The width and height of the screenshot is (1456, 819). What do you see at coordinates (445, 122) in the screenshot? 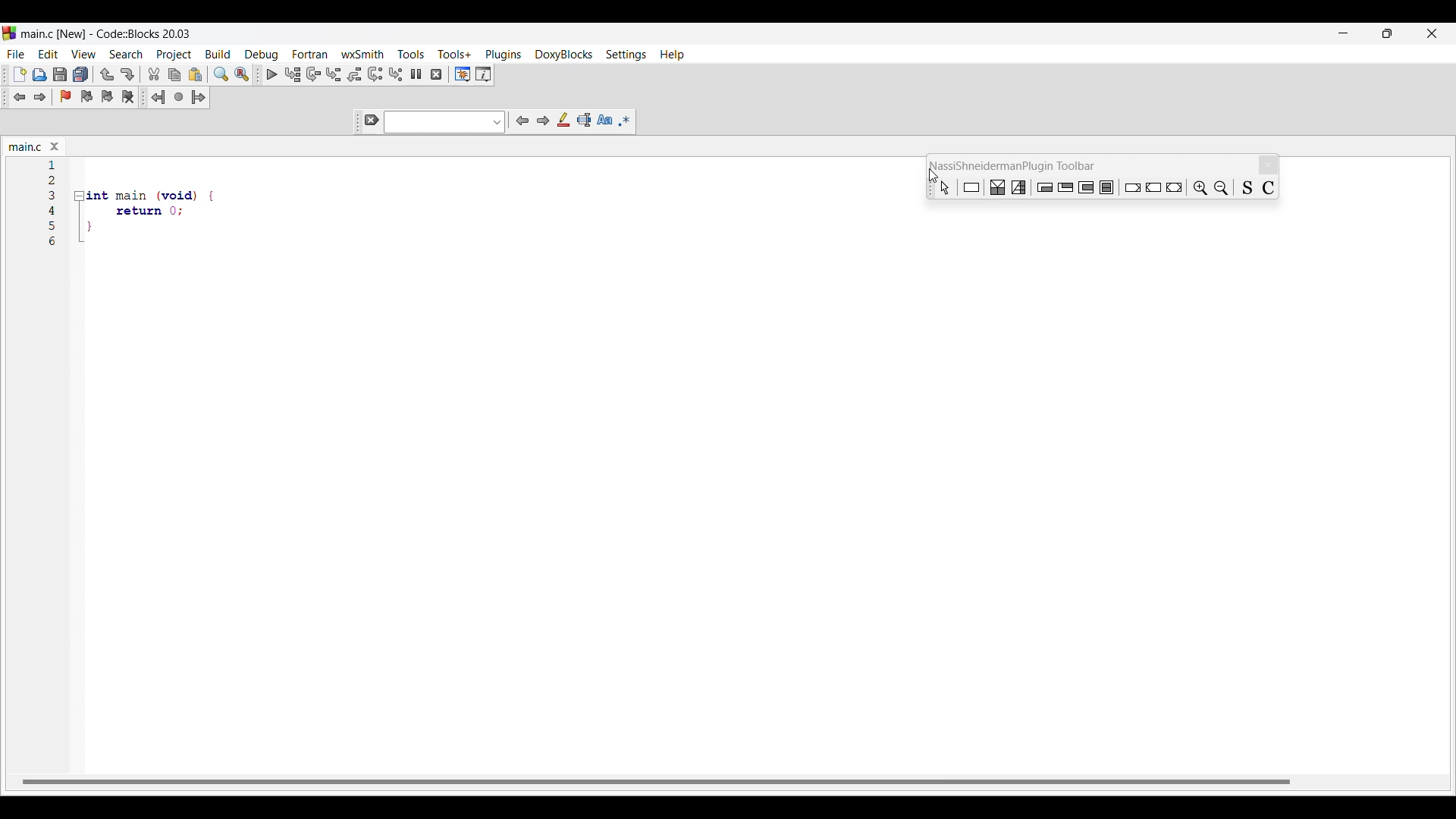
I see `Text box and text options ` at bounding box center [445, 122].